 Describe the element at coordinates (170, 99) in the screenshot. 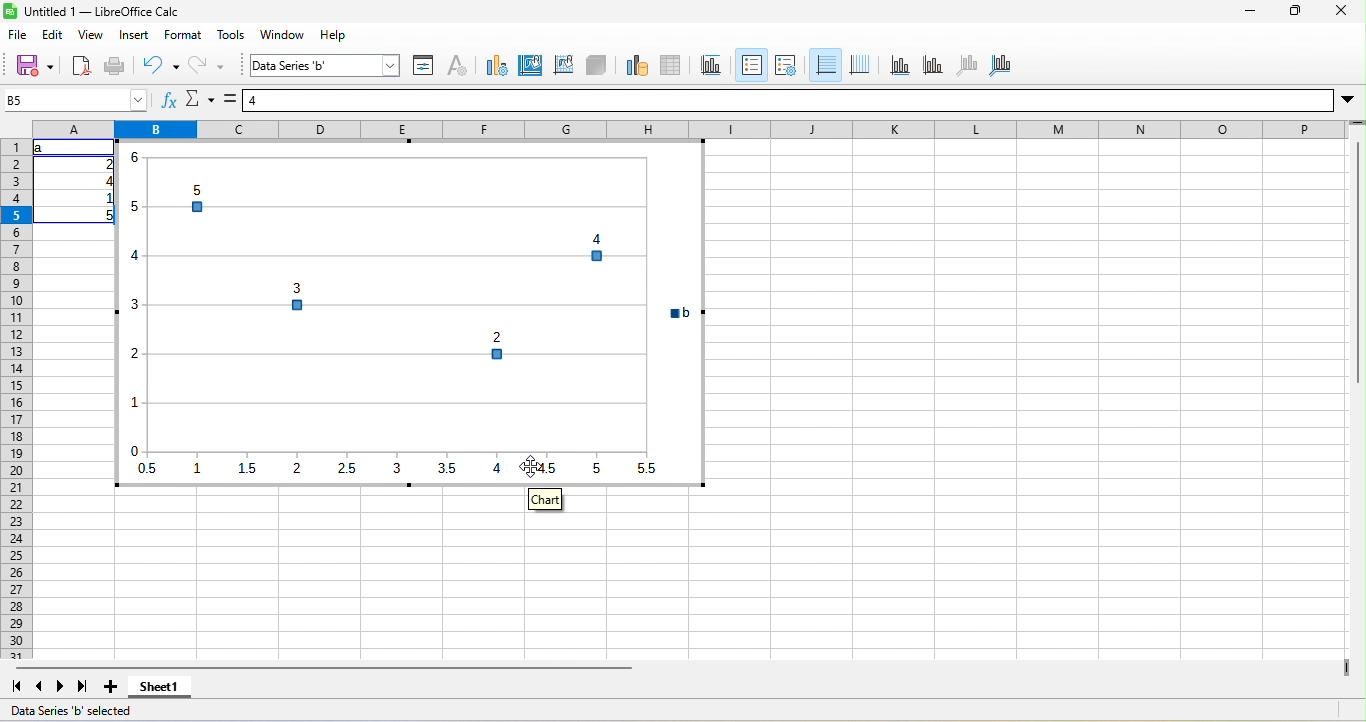

I see `function wizard` at that location.